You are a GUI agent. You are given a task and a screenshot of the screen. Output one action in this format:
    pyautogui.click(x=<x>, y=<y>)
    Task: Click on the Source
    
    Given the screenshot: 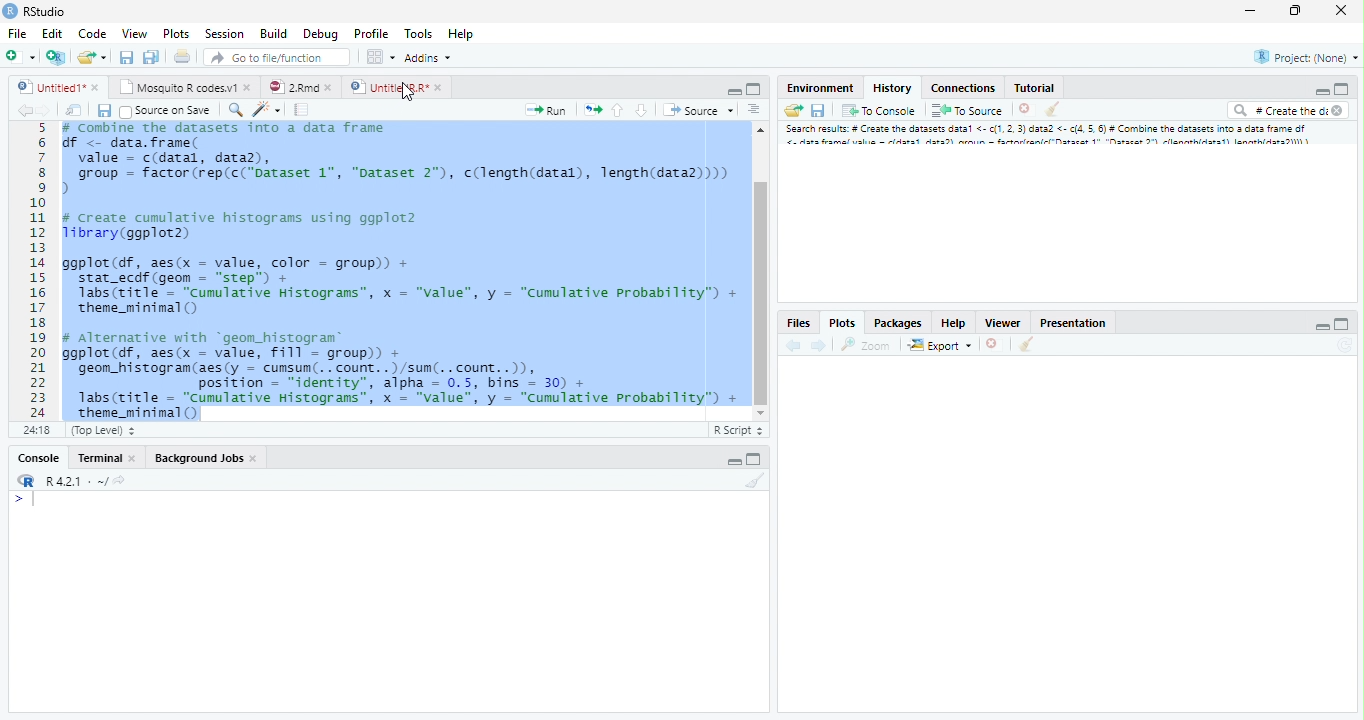 What is the action you would take?
    pyautogui.click(x=698, y=112)
    